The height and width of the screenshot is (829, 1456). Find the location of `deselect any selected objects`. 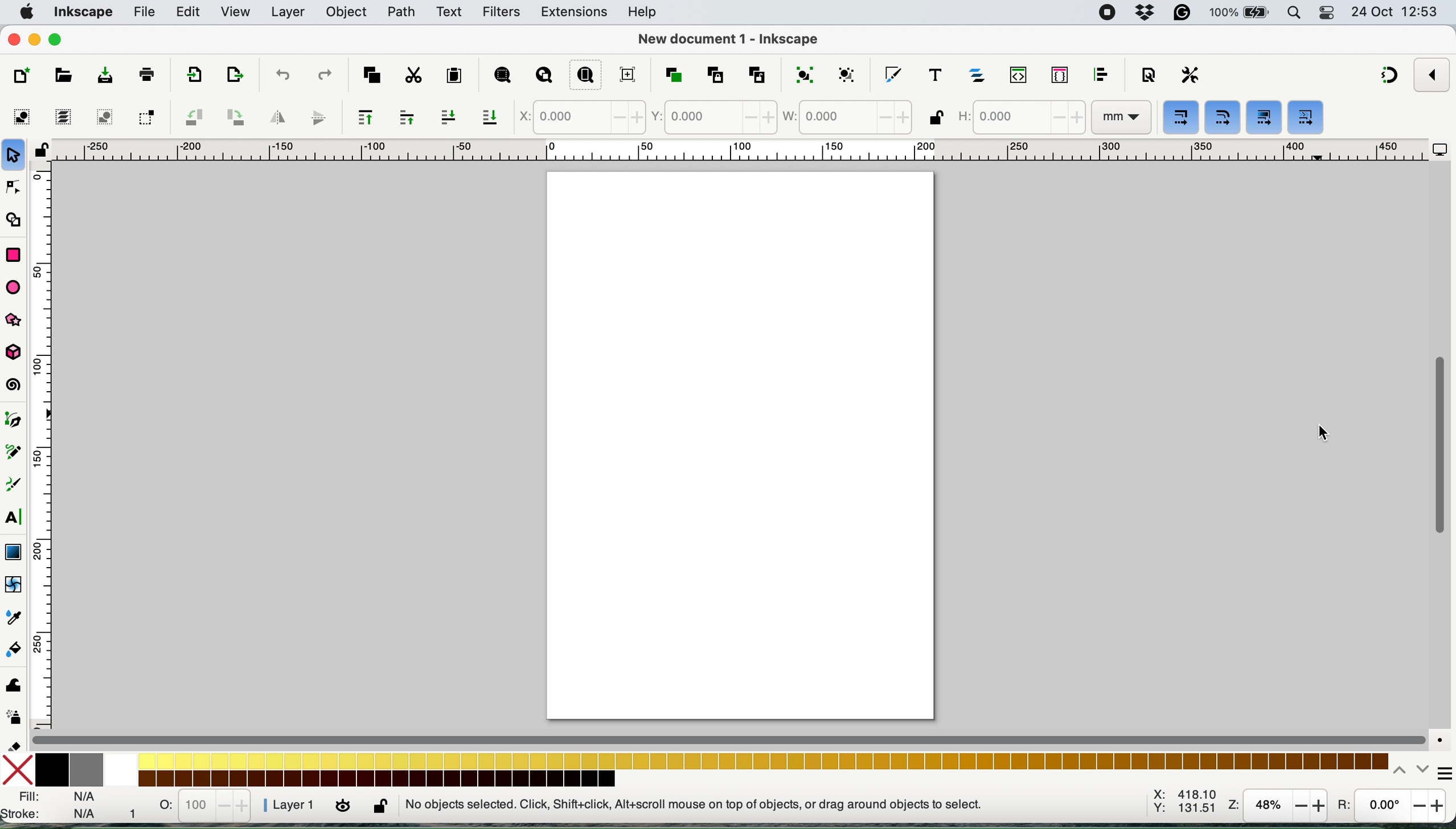

deselect any selected objects is located at coordinates (105, 118).